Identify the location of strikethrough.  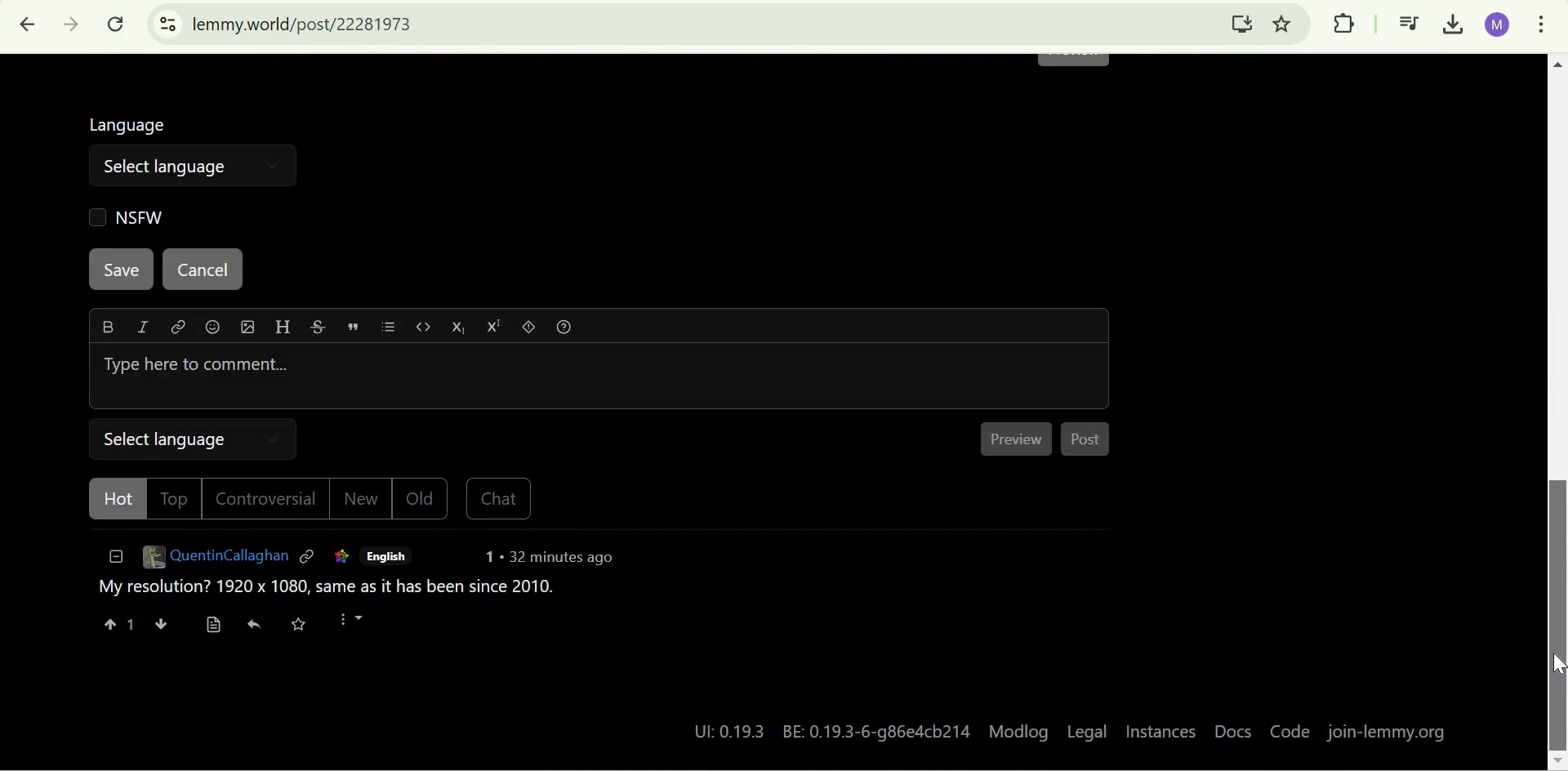
(318, 329).